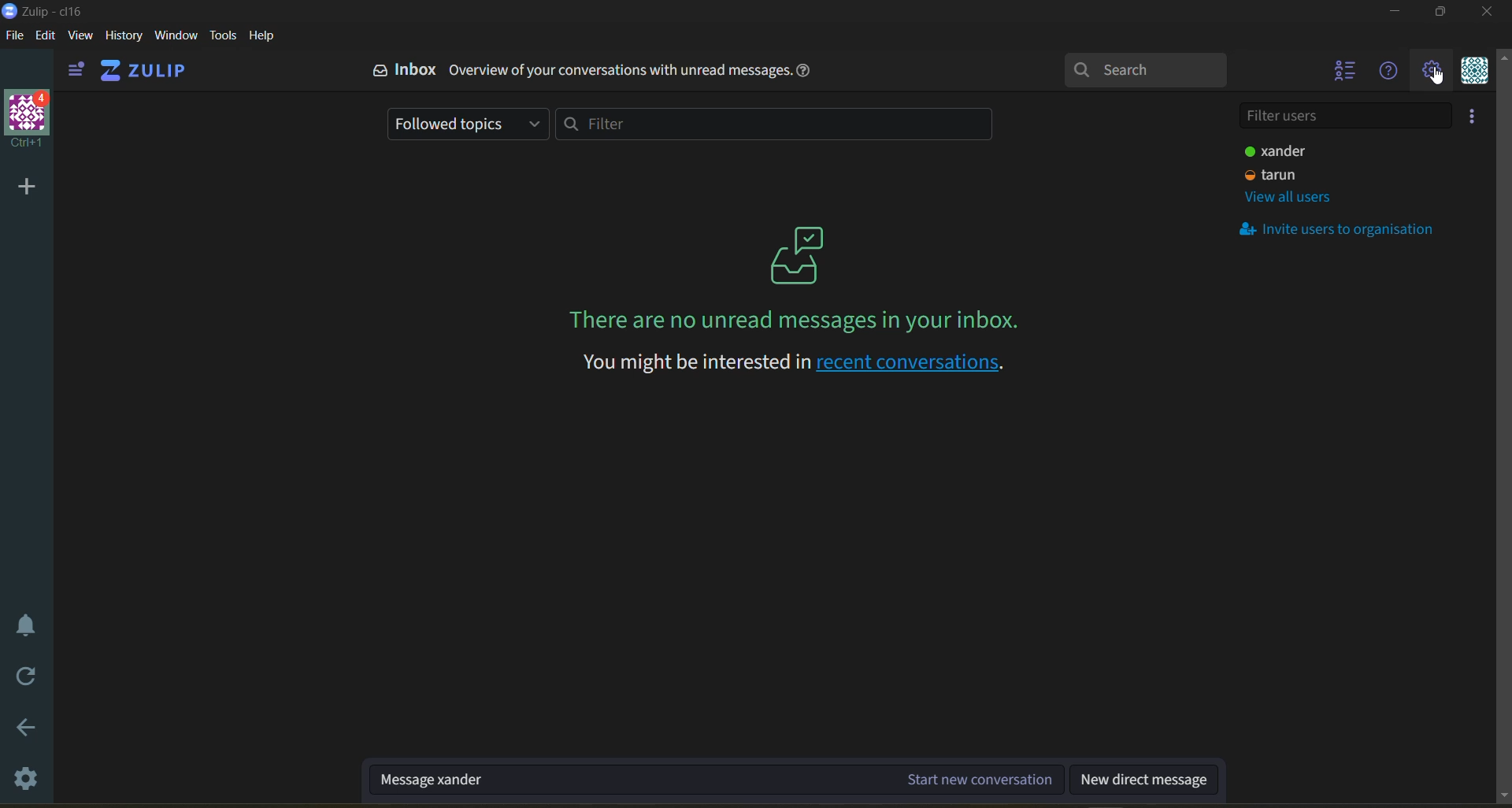 The width and height of the screenshot is (1512, 808). I want to click on logo, so click(377, 70).